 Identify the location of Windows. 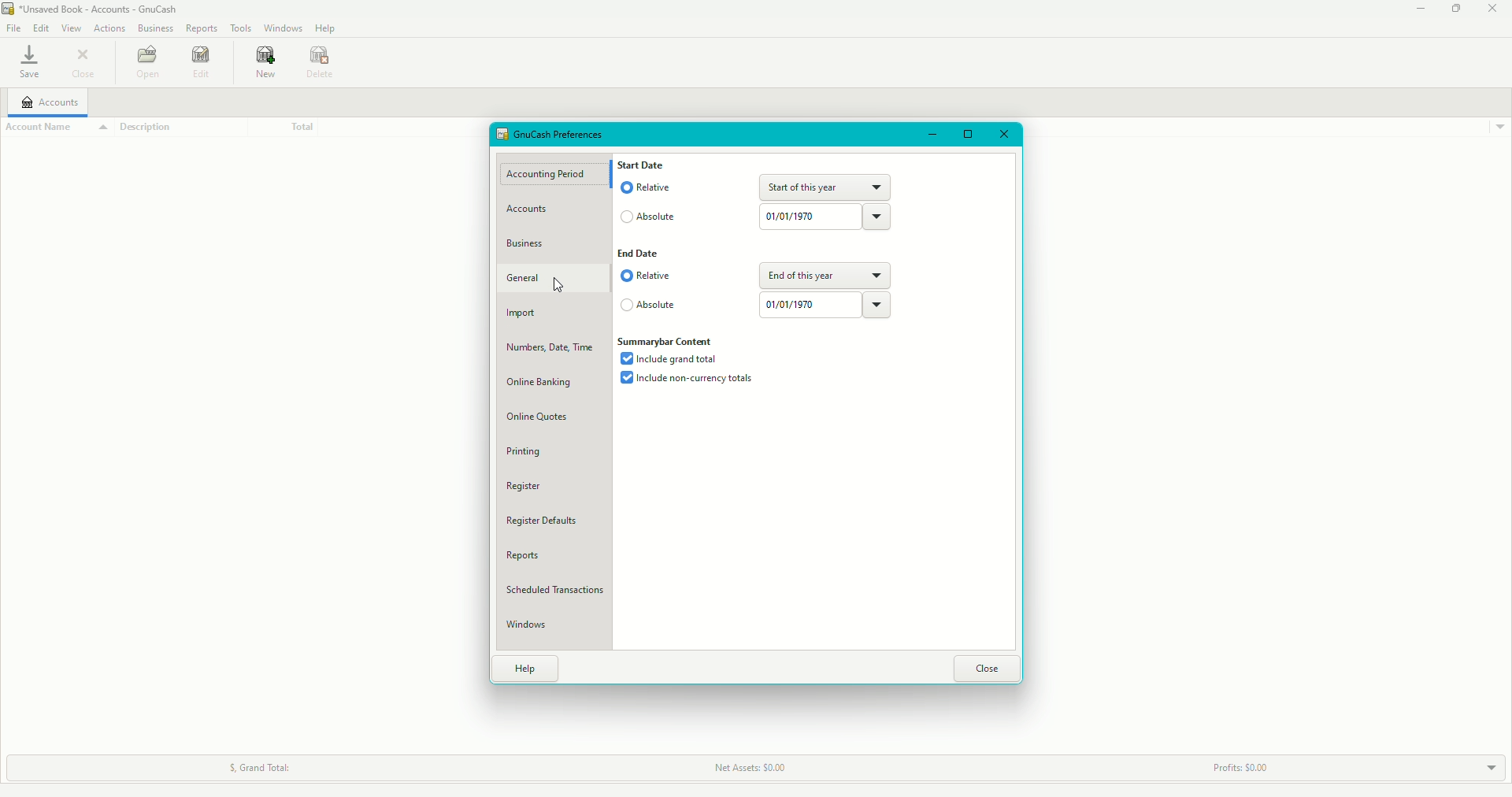
(527, 625).